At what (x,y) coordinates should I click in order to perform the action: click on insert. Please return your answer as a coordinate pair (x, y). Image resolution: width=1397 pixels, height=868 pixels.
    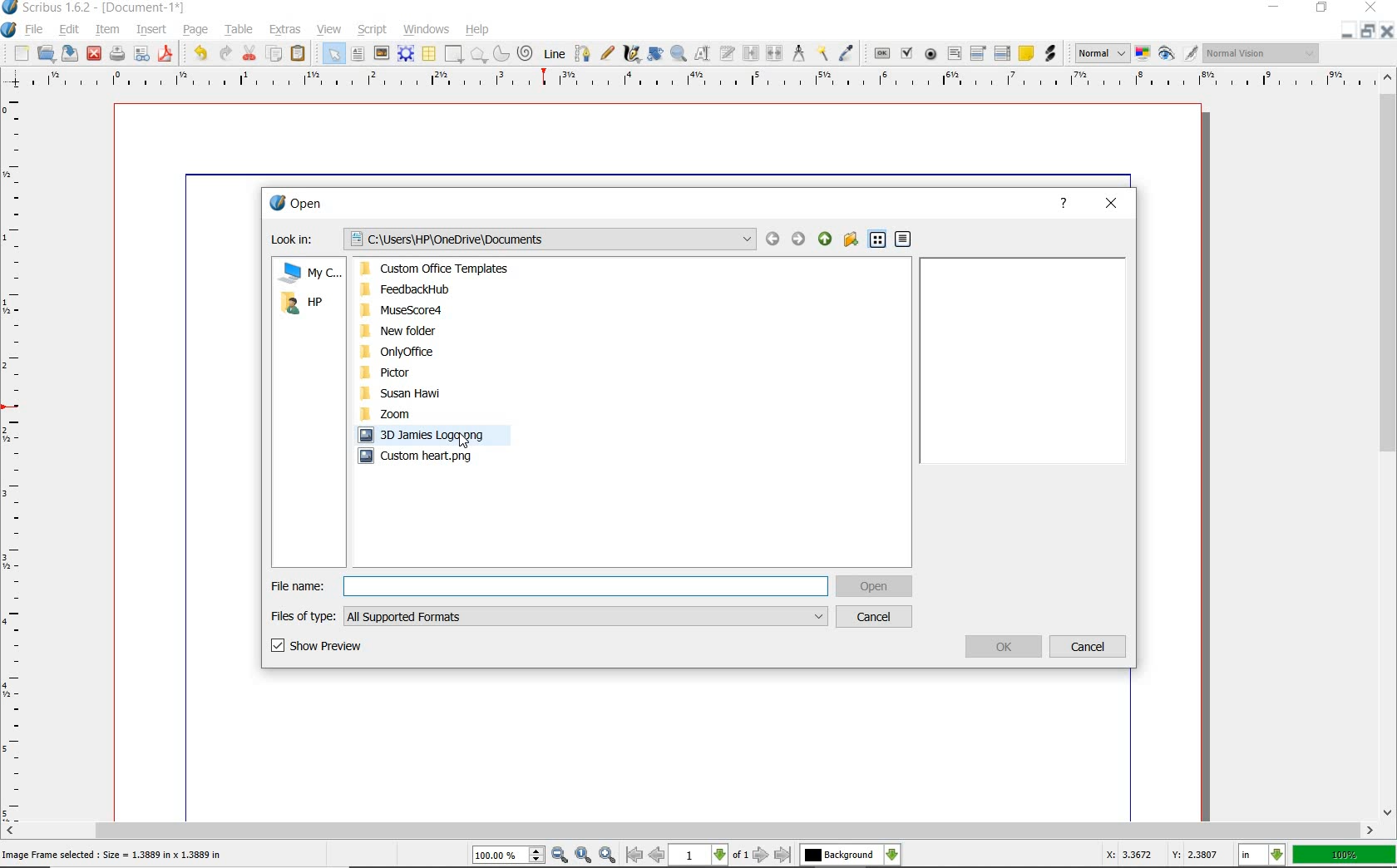
    Looking at the image, I should click on (152, 29).